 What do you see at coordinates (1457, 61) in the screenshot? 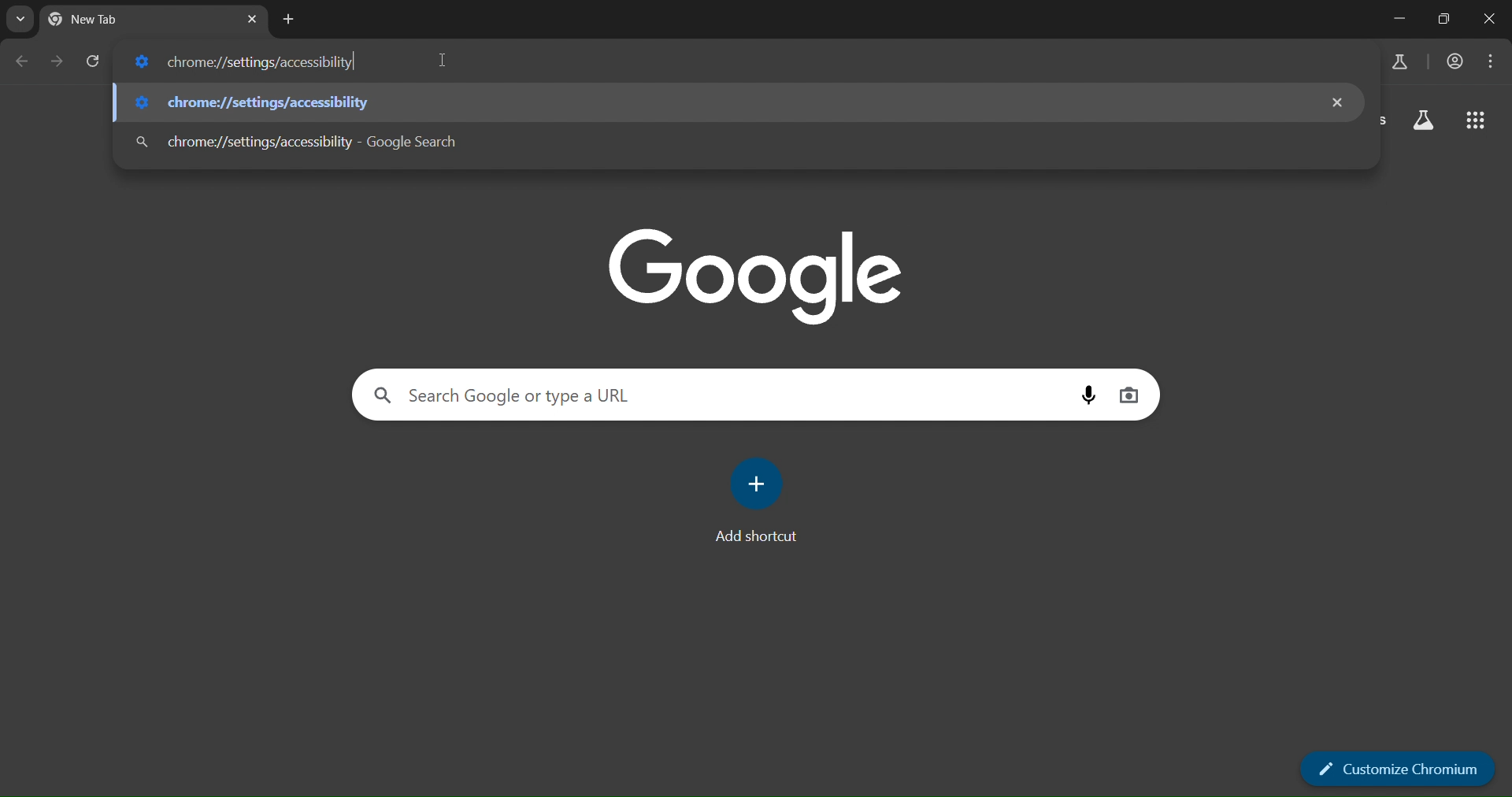
I see `accounts` at bounding box center [1457, 61].